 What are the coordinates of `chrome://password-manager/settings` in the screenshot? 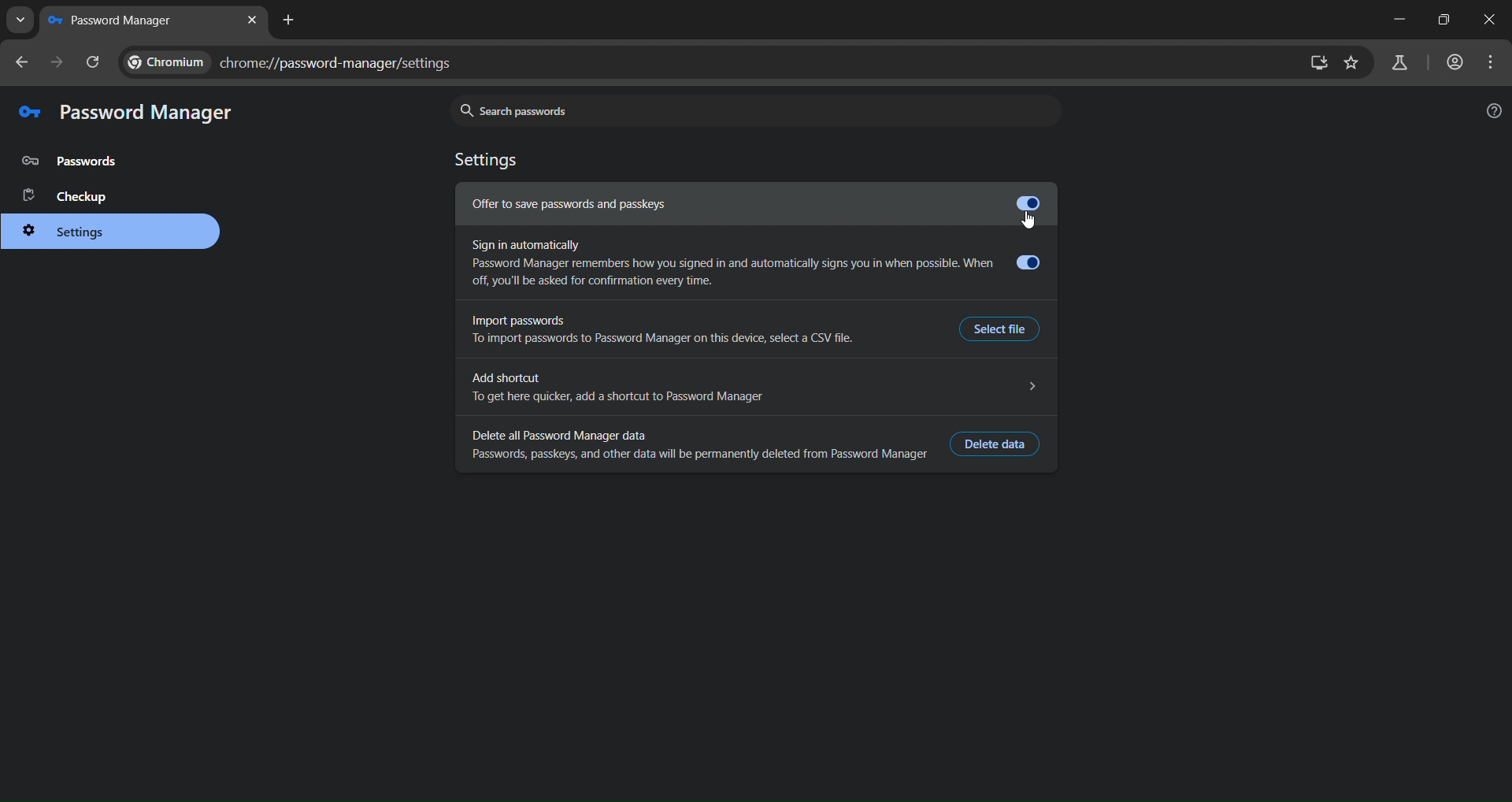 It's located at (297, 61).